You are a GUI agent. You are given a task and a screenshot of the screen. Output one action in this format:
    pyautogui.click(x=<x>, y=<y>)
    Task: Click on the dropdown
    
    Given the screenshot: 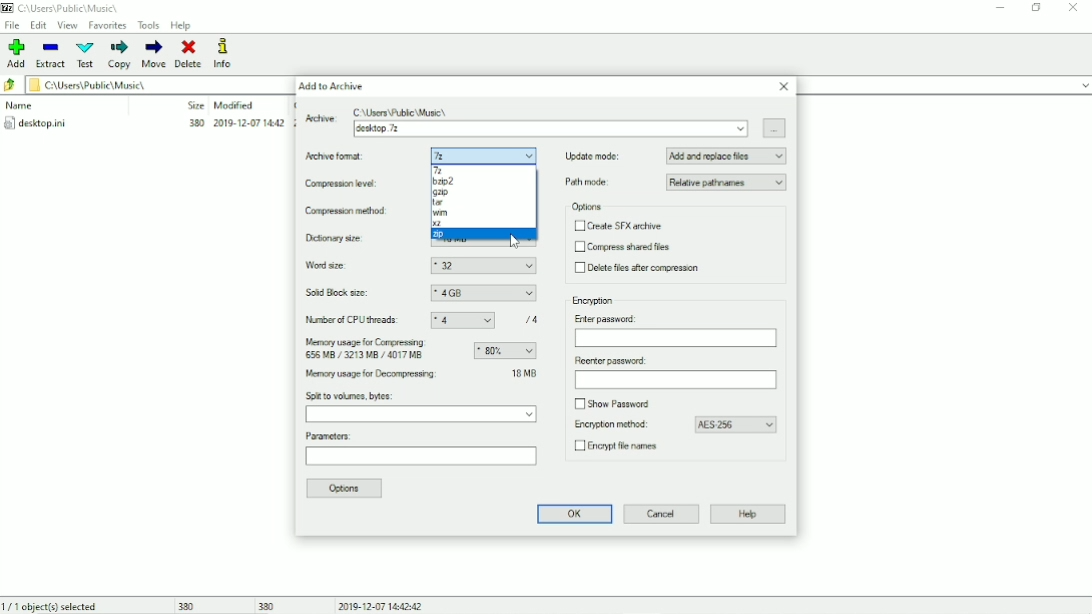 What is the action you would take?
    pyautogui.click(x=531, y=155)
    